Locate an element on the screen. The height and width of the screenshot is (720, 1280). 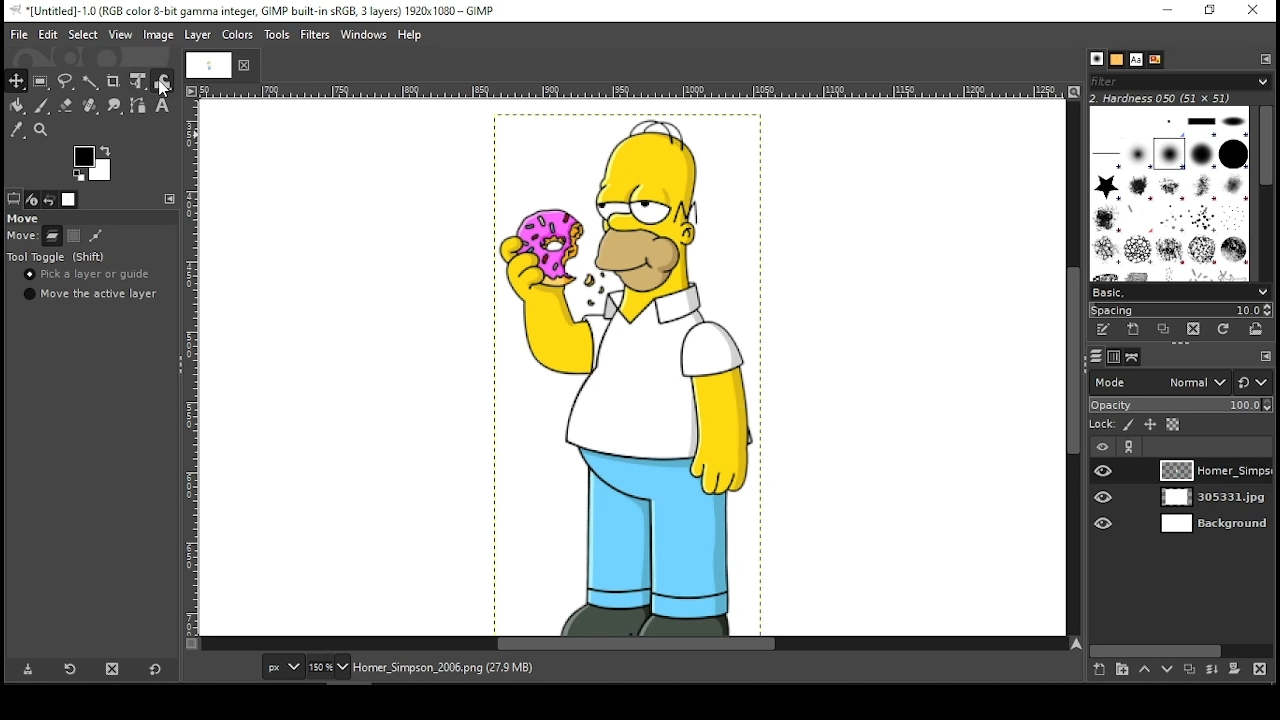
vertical scale is located at coordinates (639, 90).